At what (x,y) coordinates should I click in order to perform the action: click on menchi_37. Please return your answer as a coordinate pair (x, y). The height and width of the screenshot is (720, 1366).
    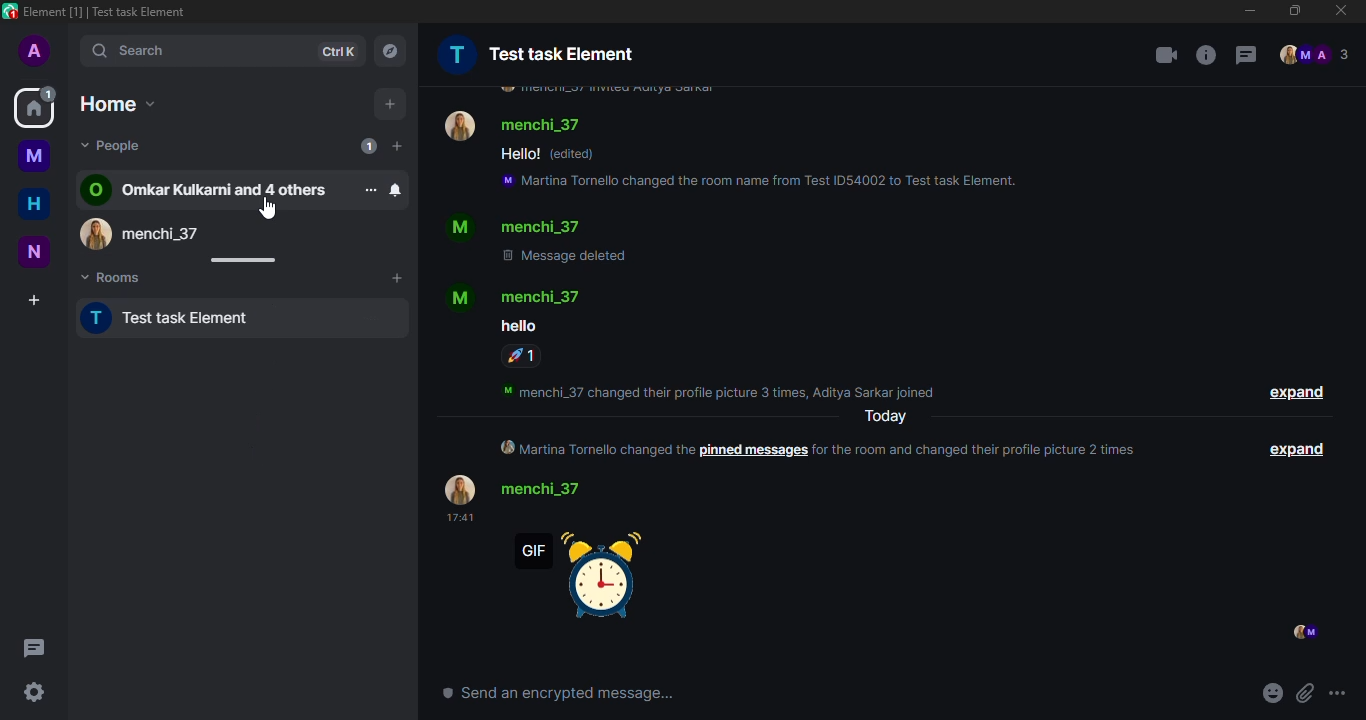
    Looking at the image, I should click on (522, 488).